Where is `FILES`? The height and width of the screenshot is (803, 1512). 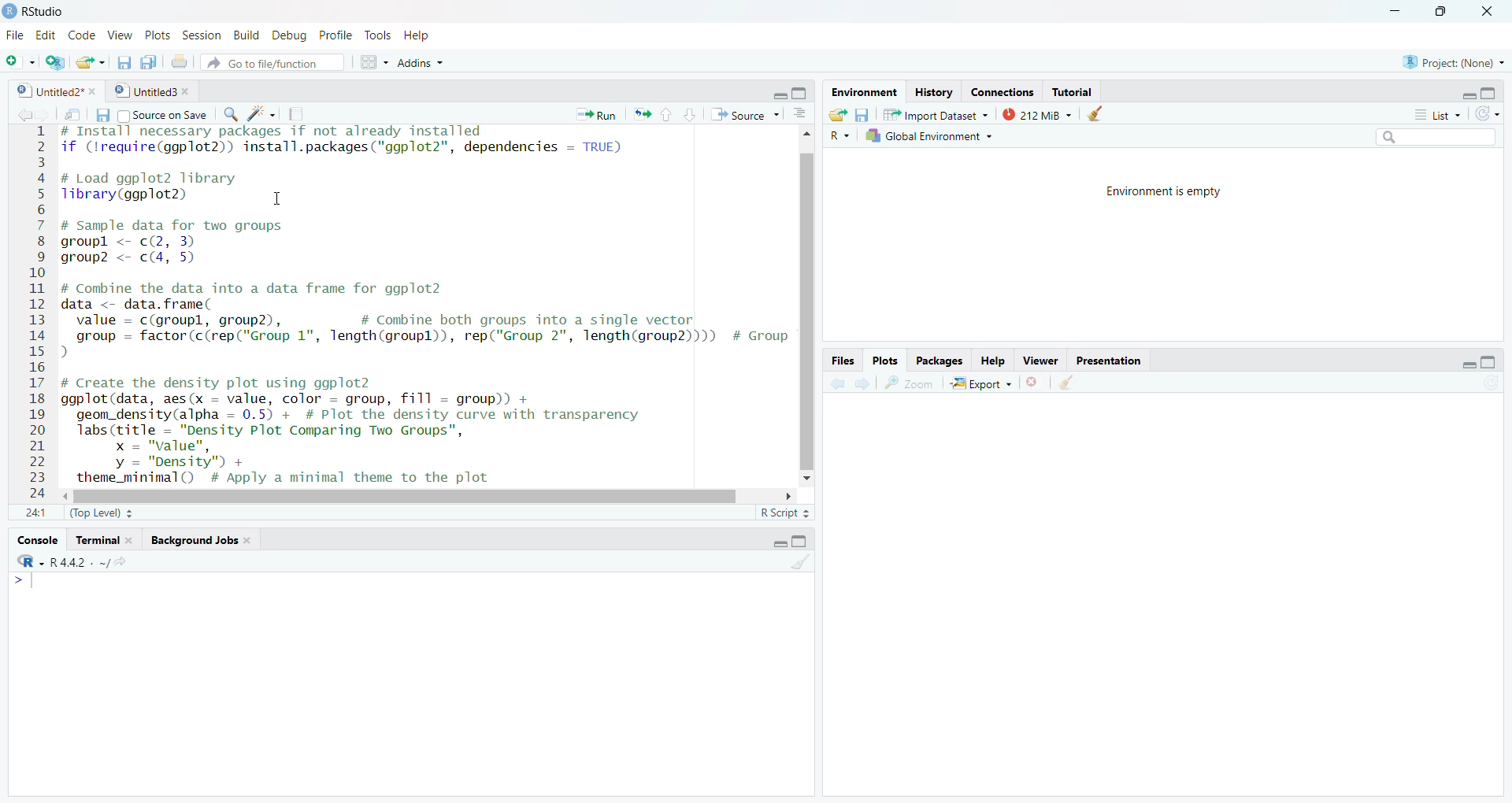 FILES is located at coordinates (845, 359).